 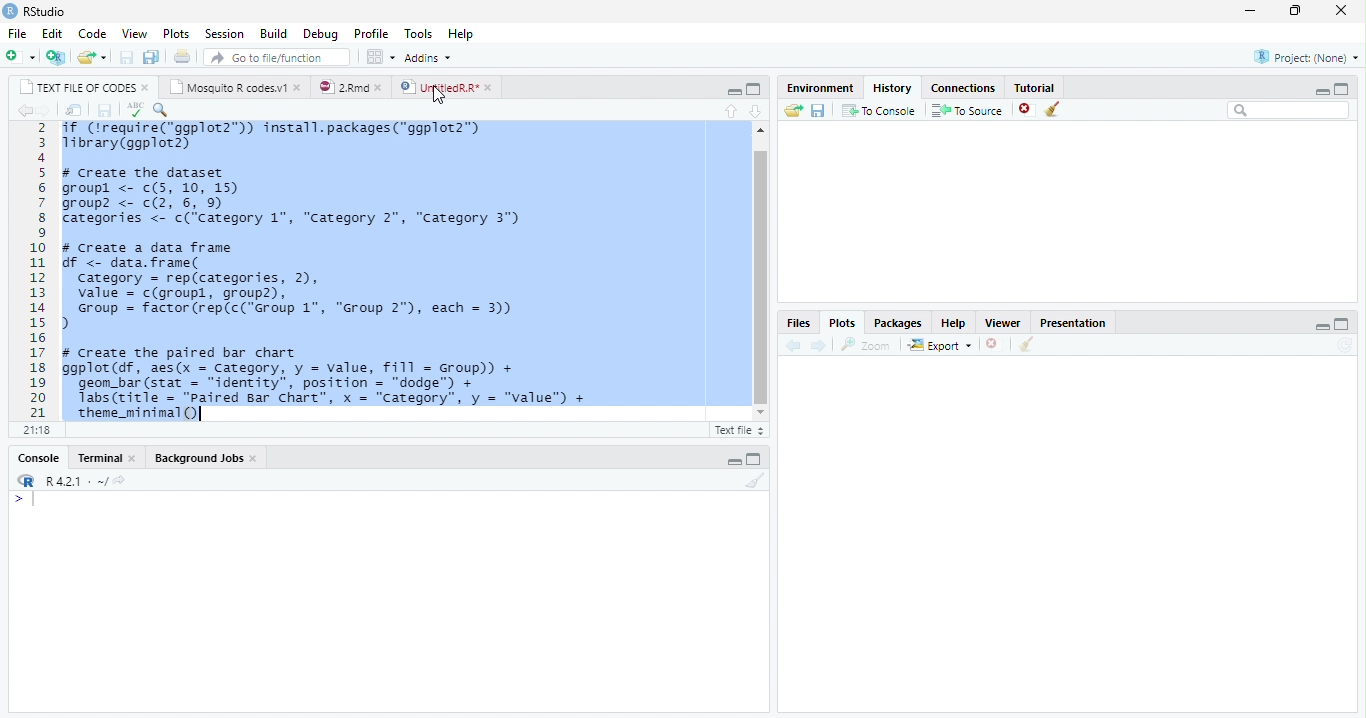 I want to click on plots, so click(x=174, y=32).